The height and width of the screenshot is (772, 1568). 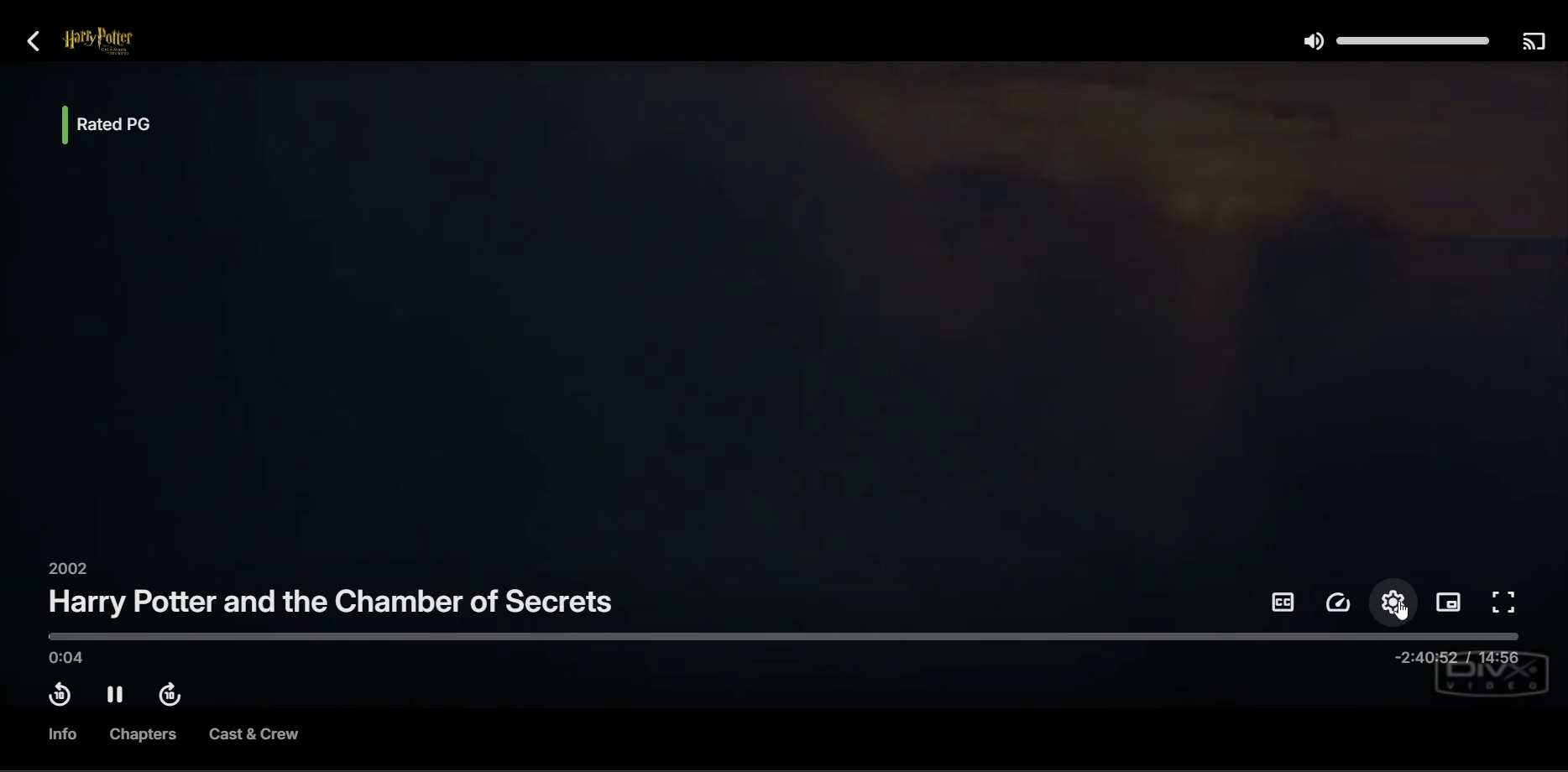 I want to click on Play/Pause, so click(x=118, y=696).